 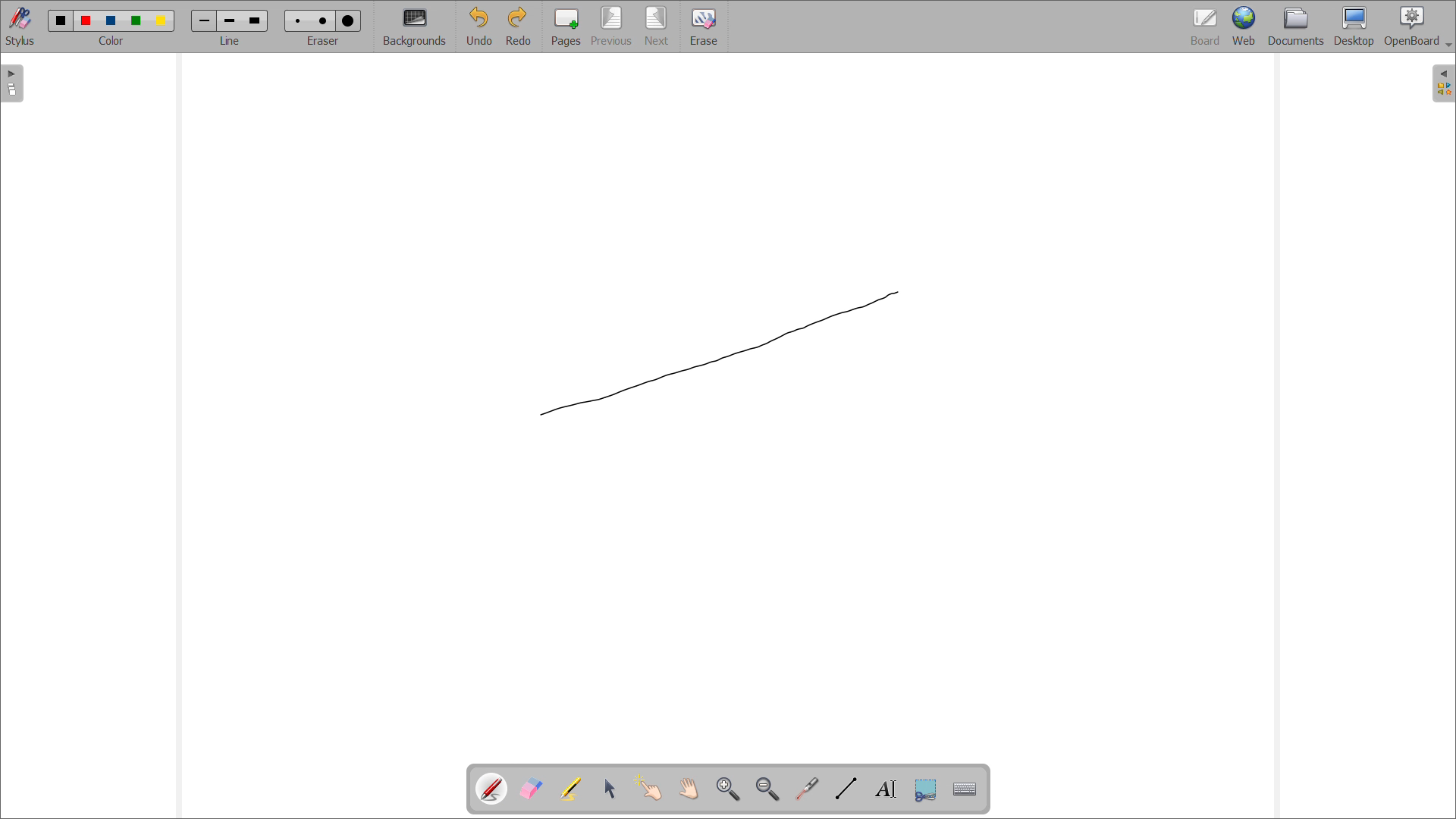 What do you see at coordinates (114, 20) in the screenshot?
I see `color` at bounding box center [114, 20].